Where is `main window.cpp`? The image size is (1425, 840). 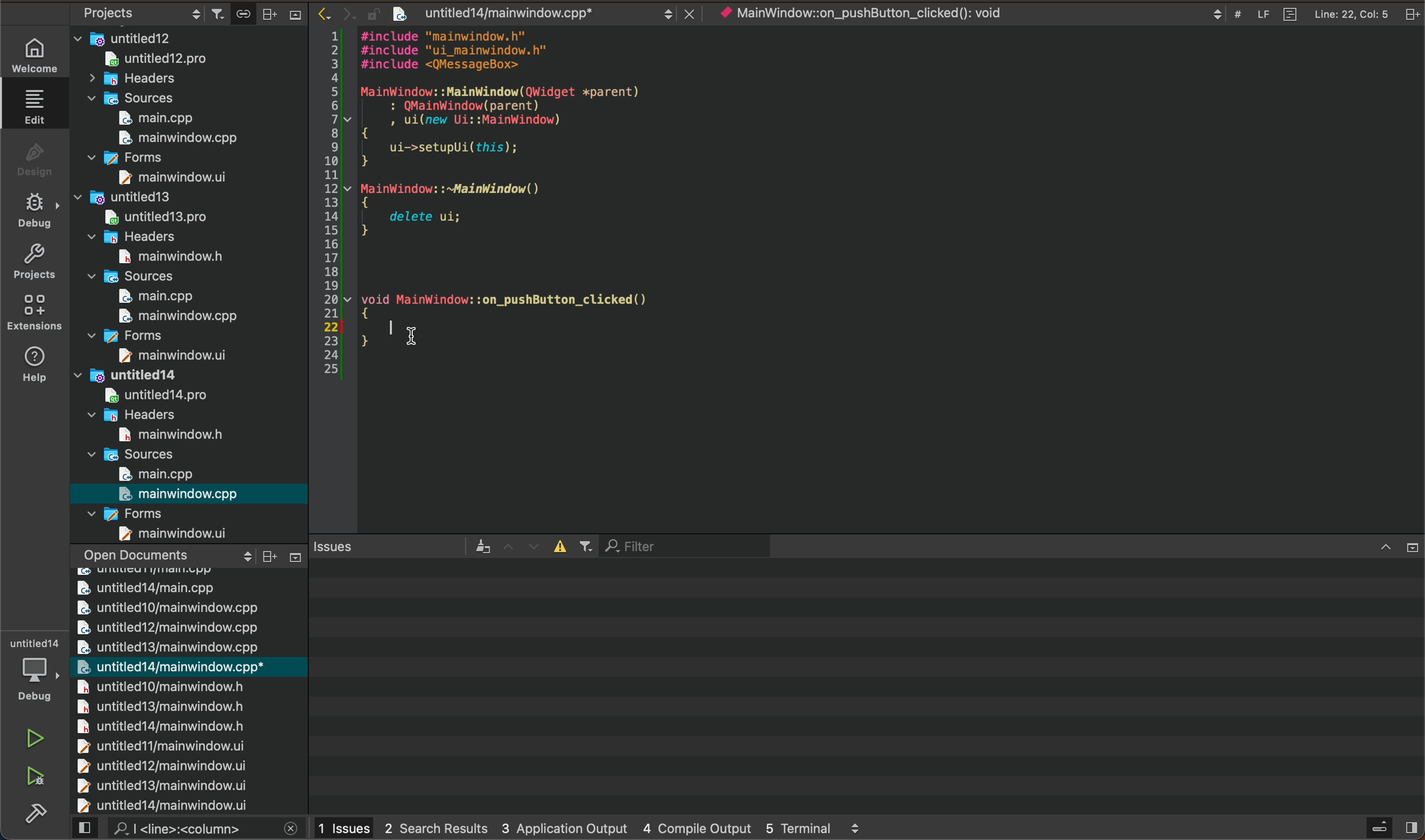
main window.cpp is located at coordinates (180, 494).